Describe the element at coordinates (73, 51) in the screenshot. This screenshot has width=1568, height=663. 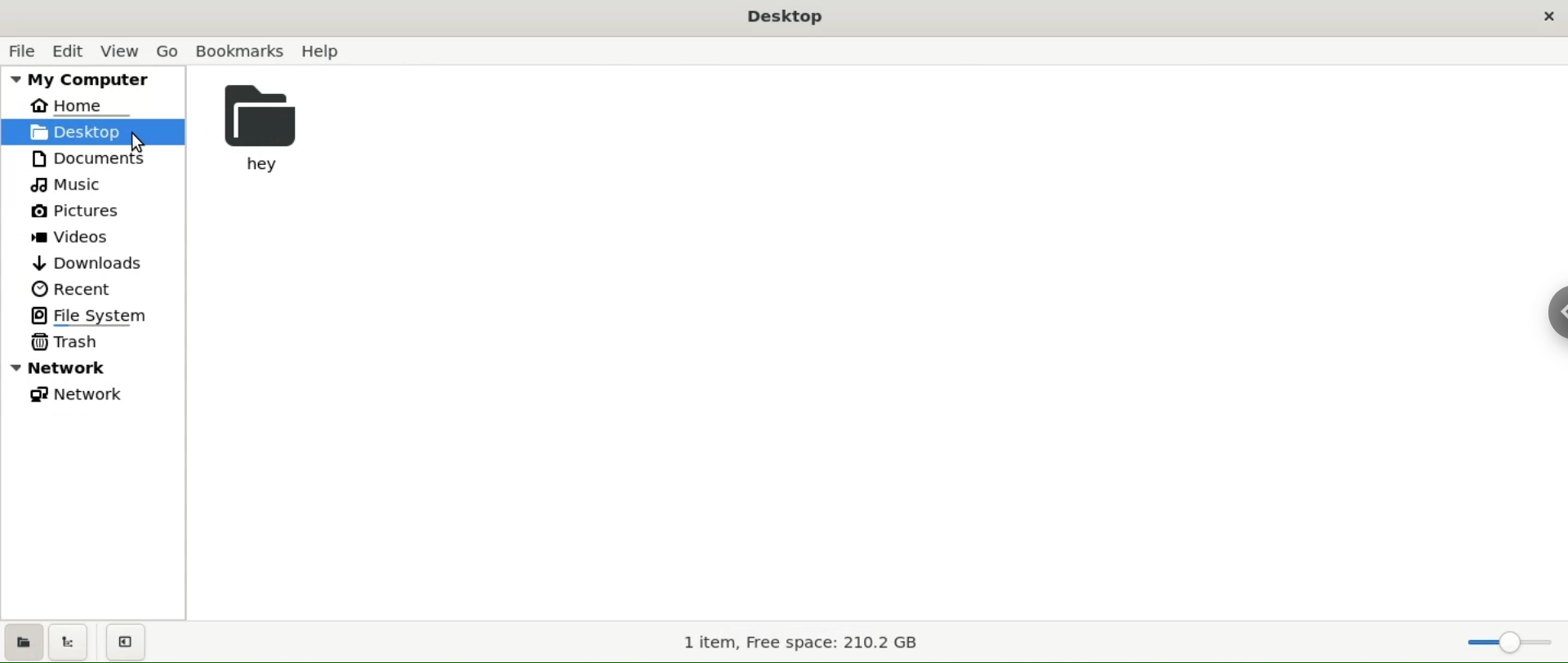
I see `edit` at that location.